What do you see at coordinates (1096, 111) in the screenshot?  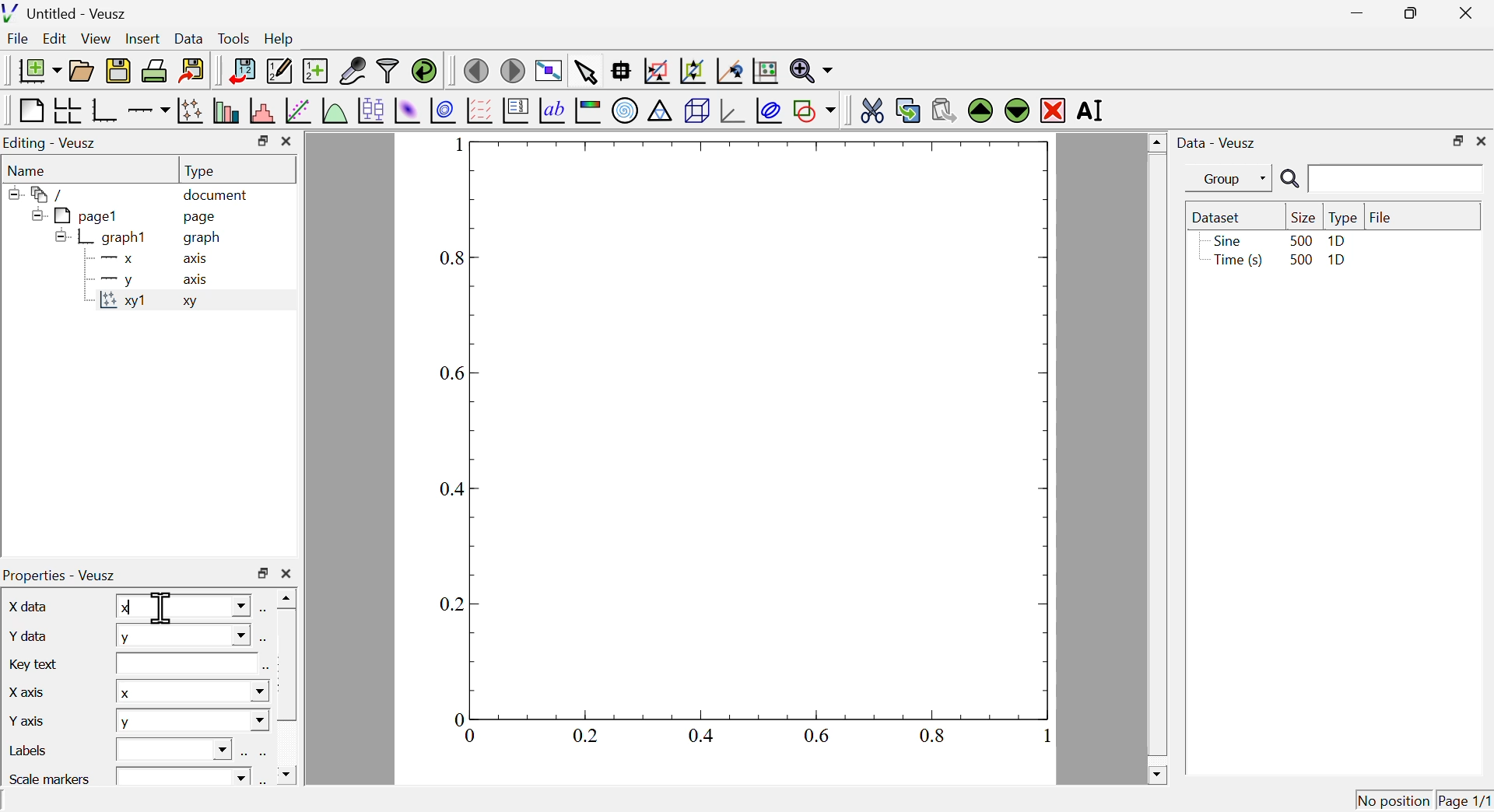 I see `rename the selected widget` at bounding box center [1096, 111].